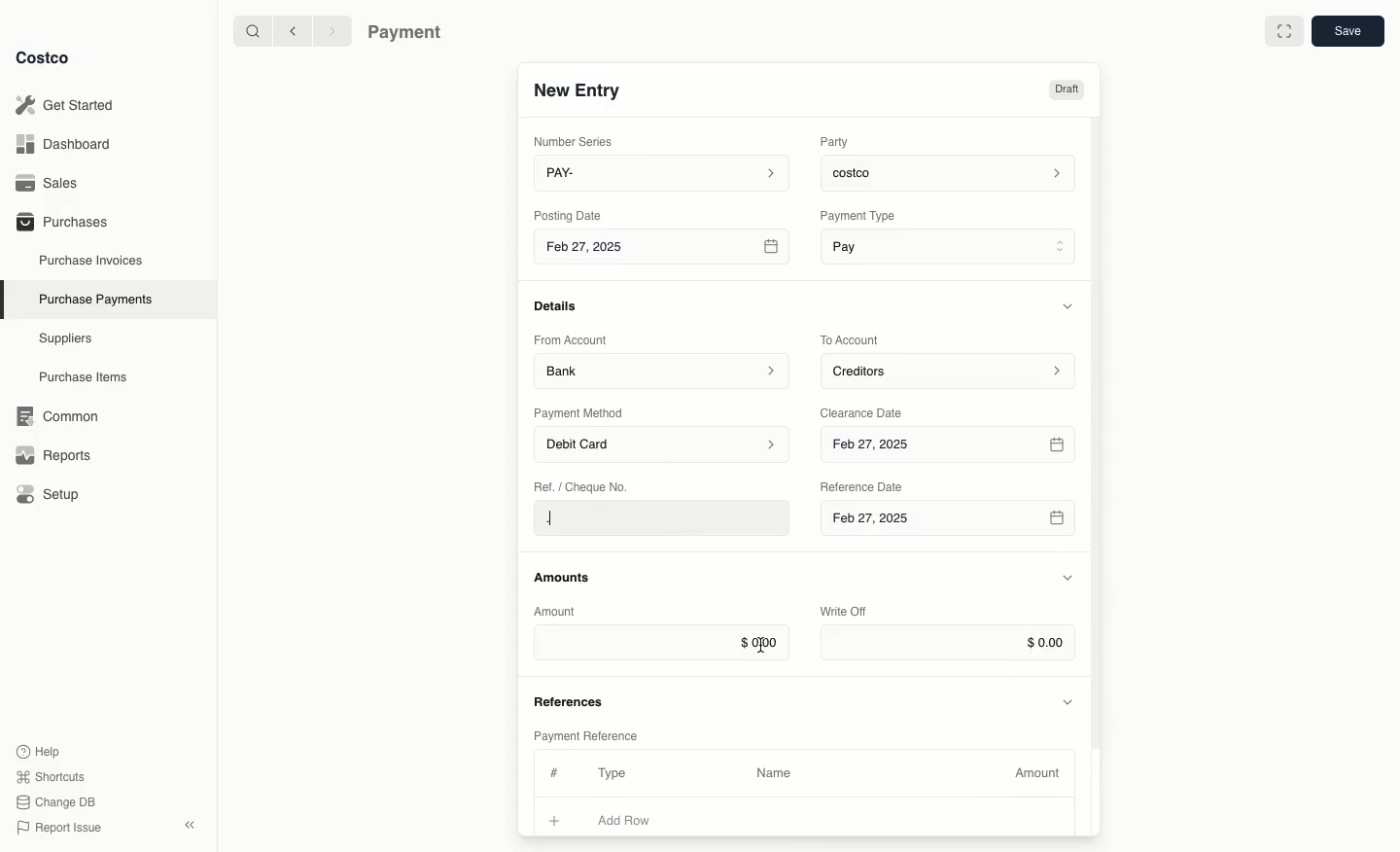  Describe the element at coordinates (189, 825) in the screenshot. I see `collapse` at that location.